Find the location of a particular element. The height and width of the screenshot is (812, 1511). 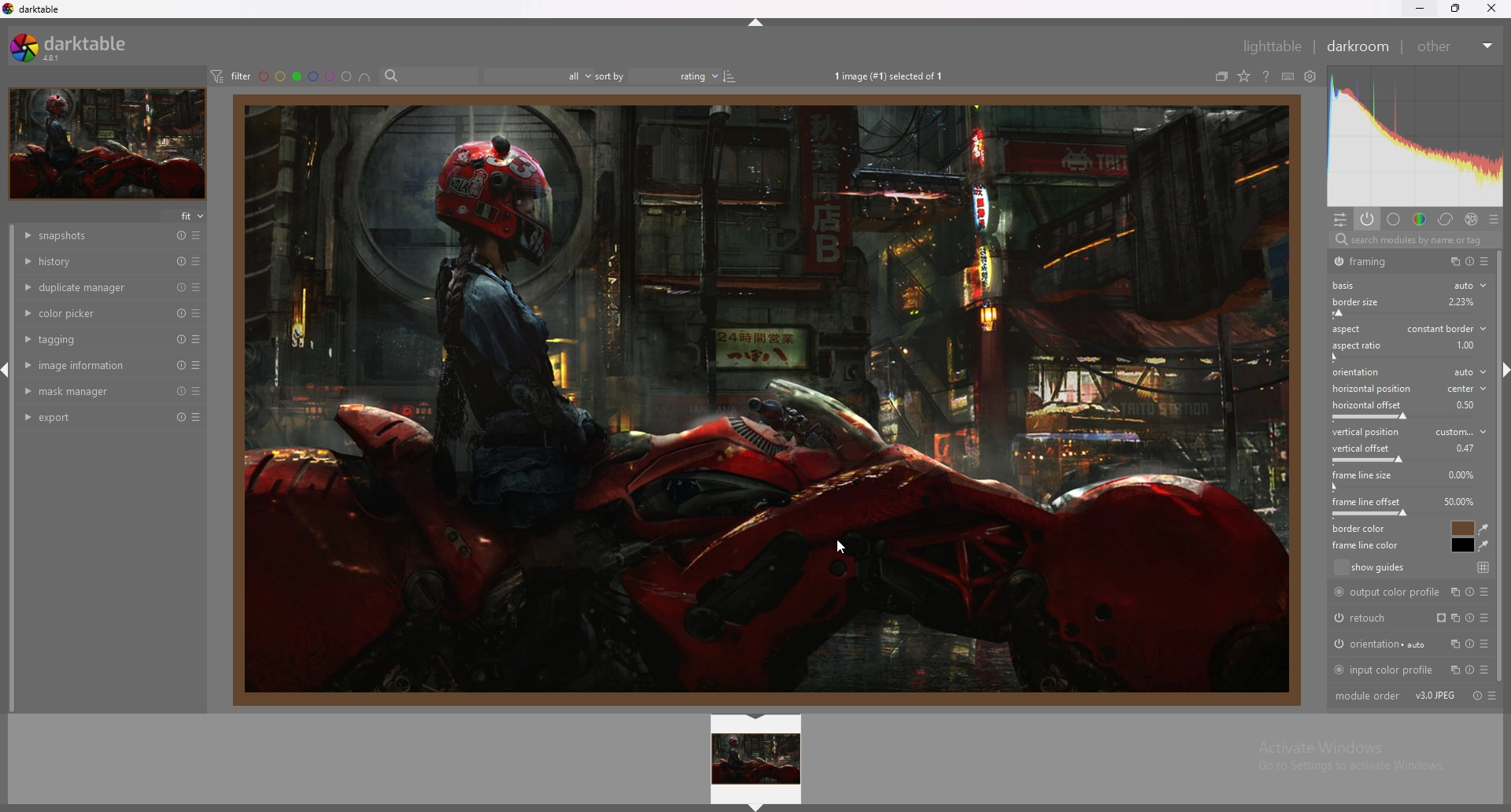

aspect ratio bar is located at coordinates (1402, 357).